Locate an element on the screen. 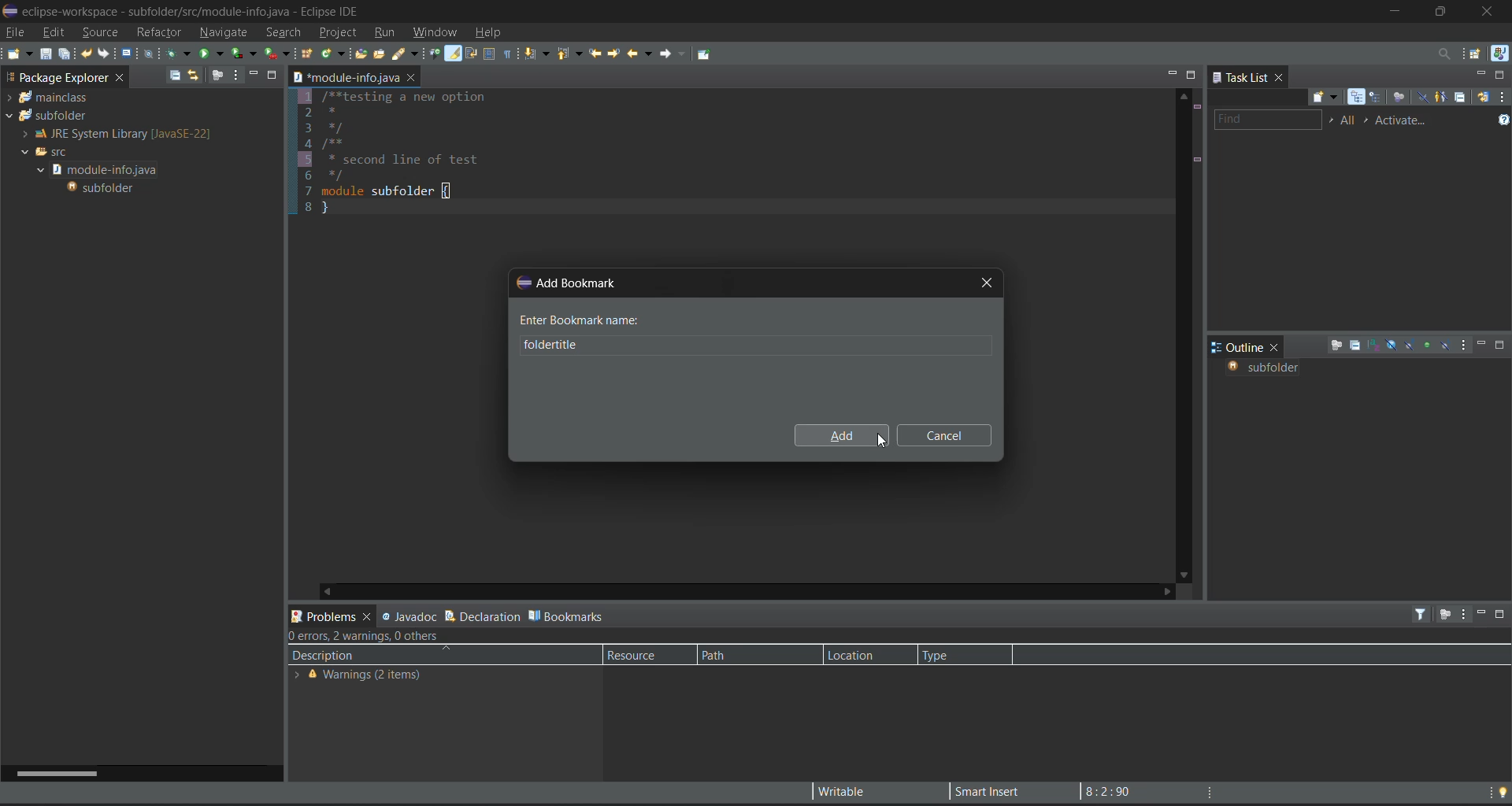  undo is located at coordinates (87, 54).